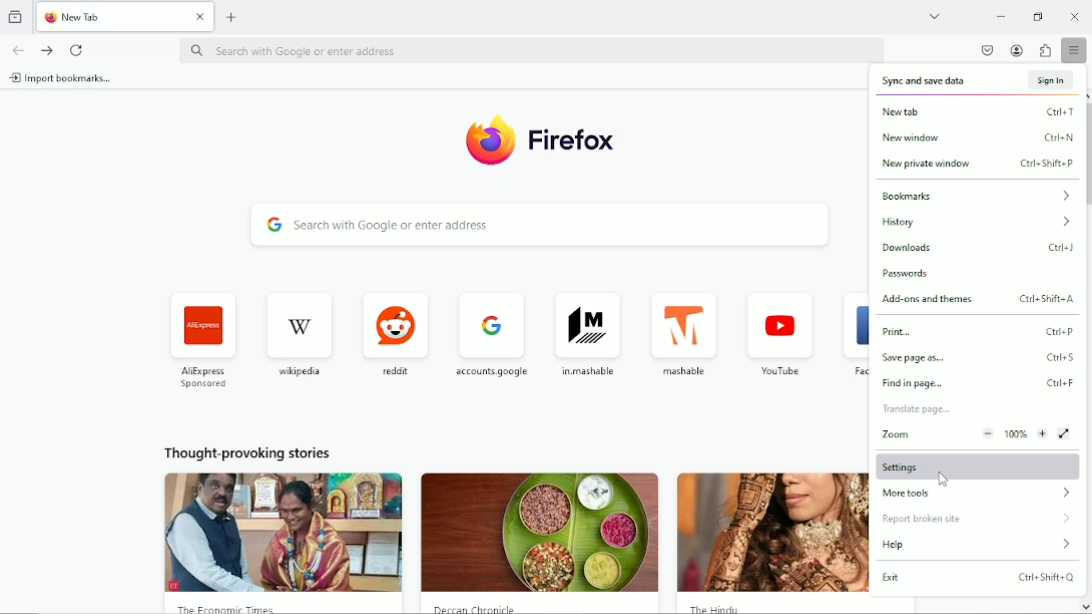 The image size is (1092, 614). I want to click on in.mashable, so click(589, 330).